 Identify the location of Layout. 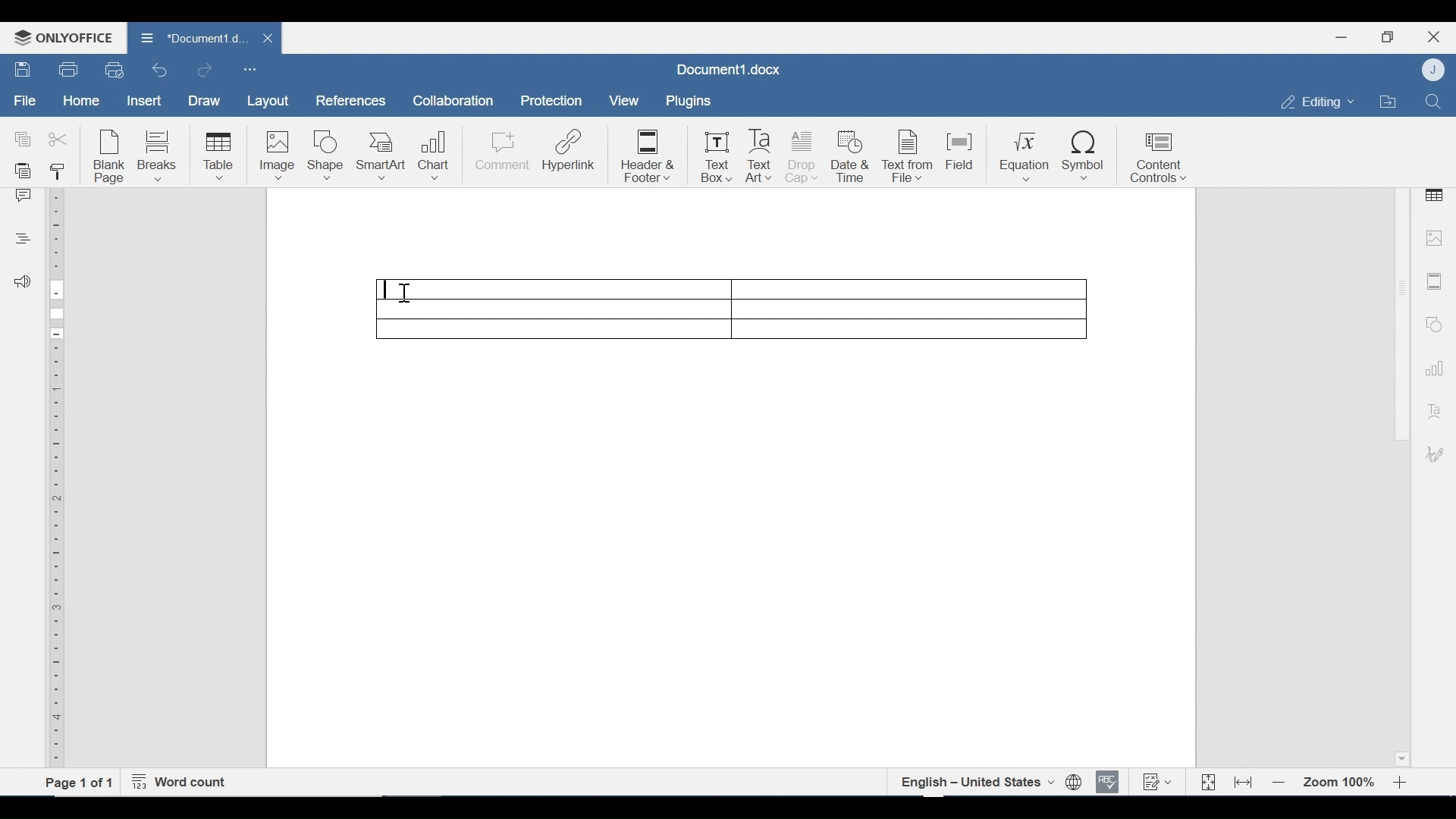
(268, 102).